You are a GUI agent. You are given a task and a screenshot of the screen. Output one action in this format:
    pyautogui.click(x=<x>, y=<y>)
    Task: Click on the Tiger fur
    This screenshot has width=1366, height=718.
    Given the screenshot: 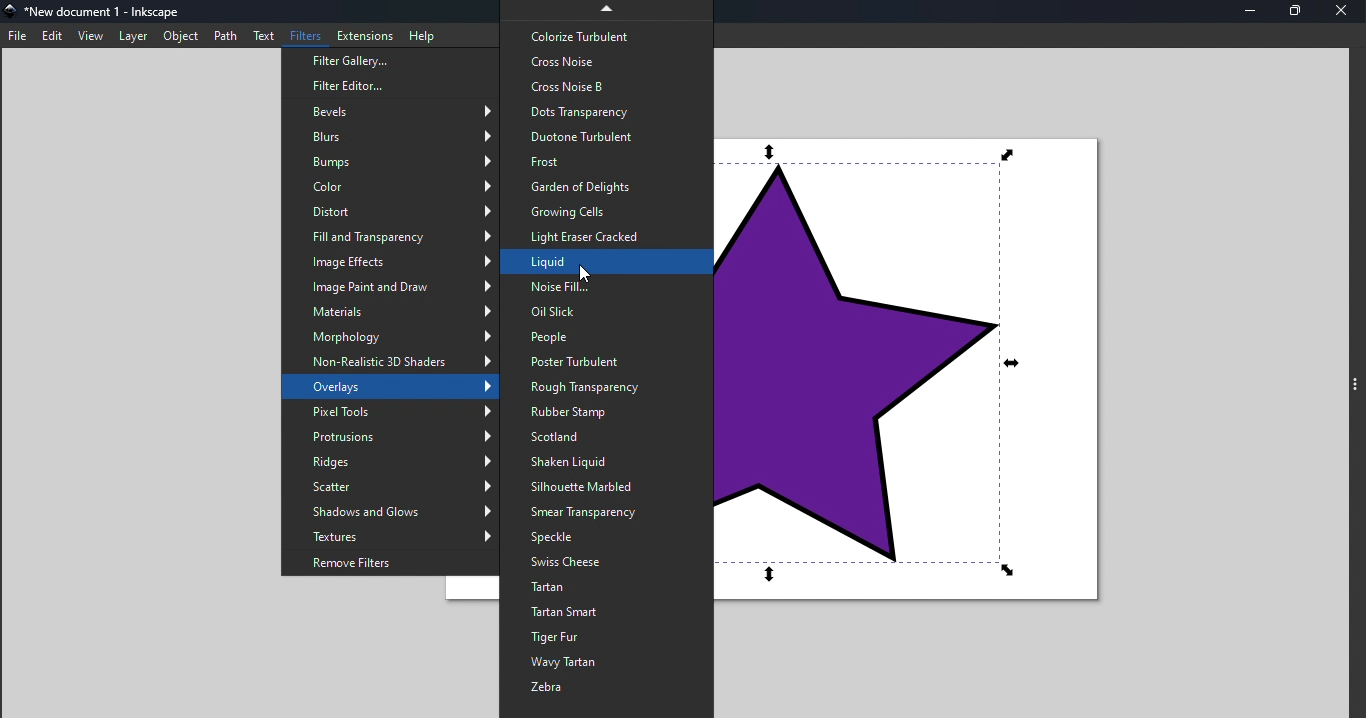 What is the action you would take?
    pyautogui.click(x=607, y=637)
    